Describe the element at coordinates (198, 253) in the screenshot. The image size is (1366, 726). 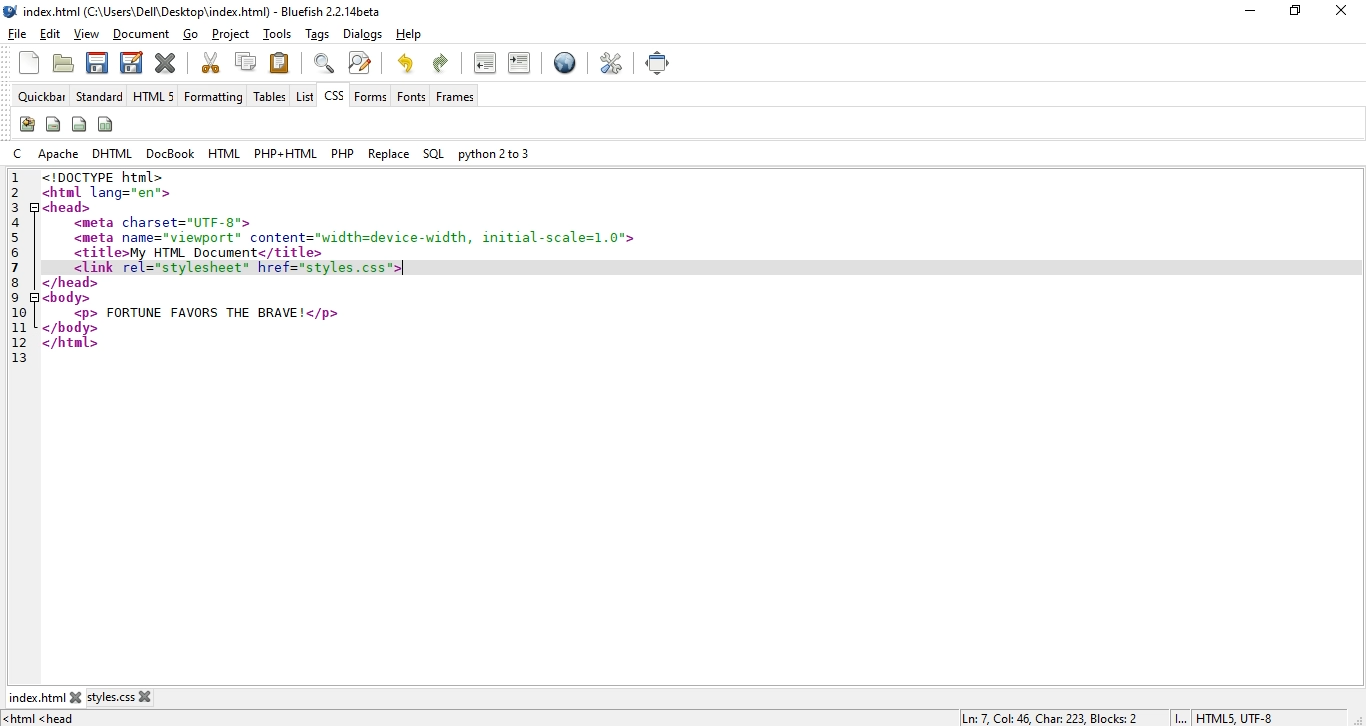
I see `<title>My HTML Document</title>` at that location.